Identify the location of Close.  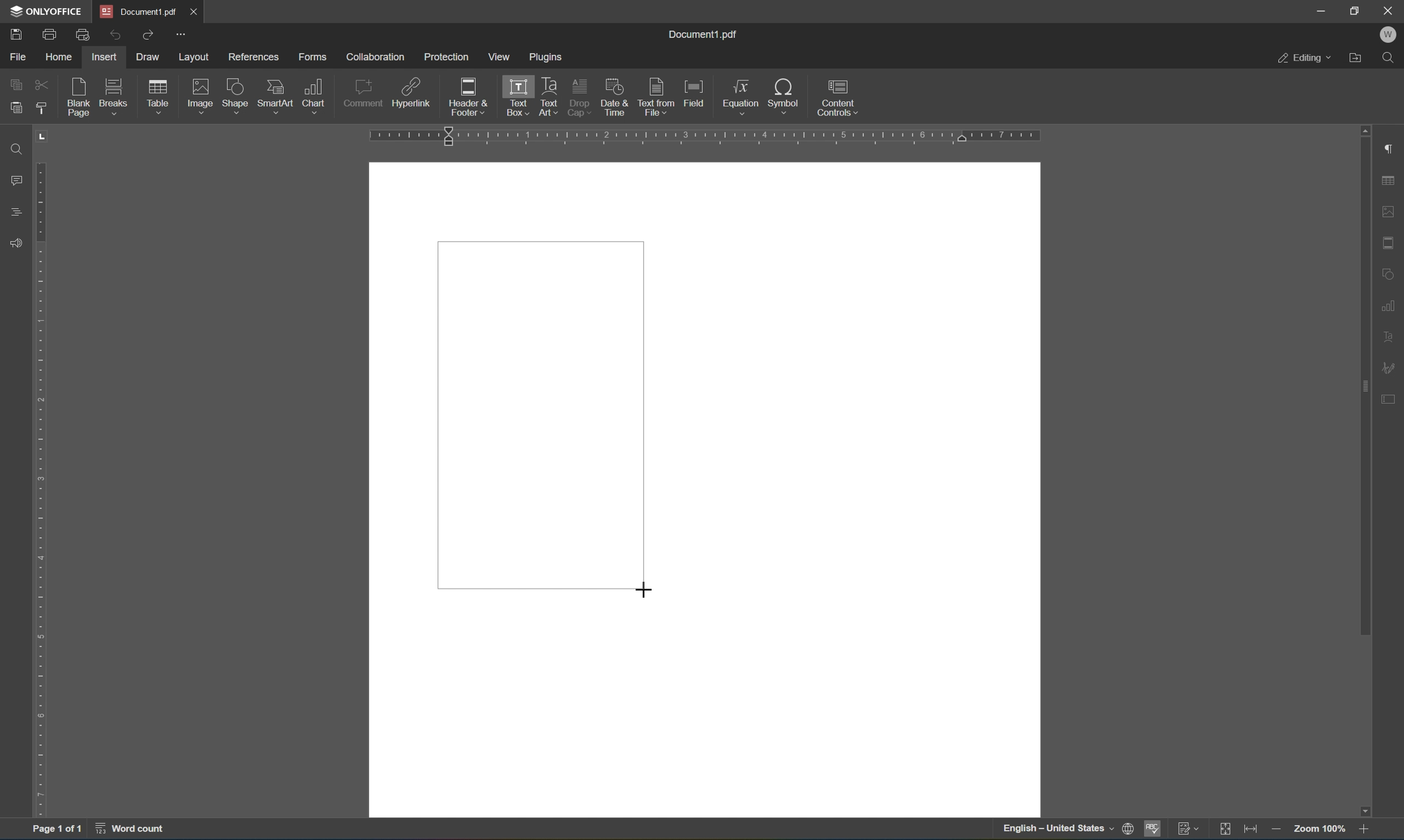
(1392, 11).